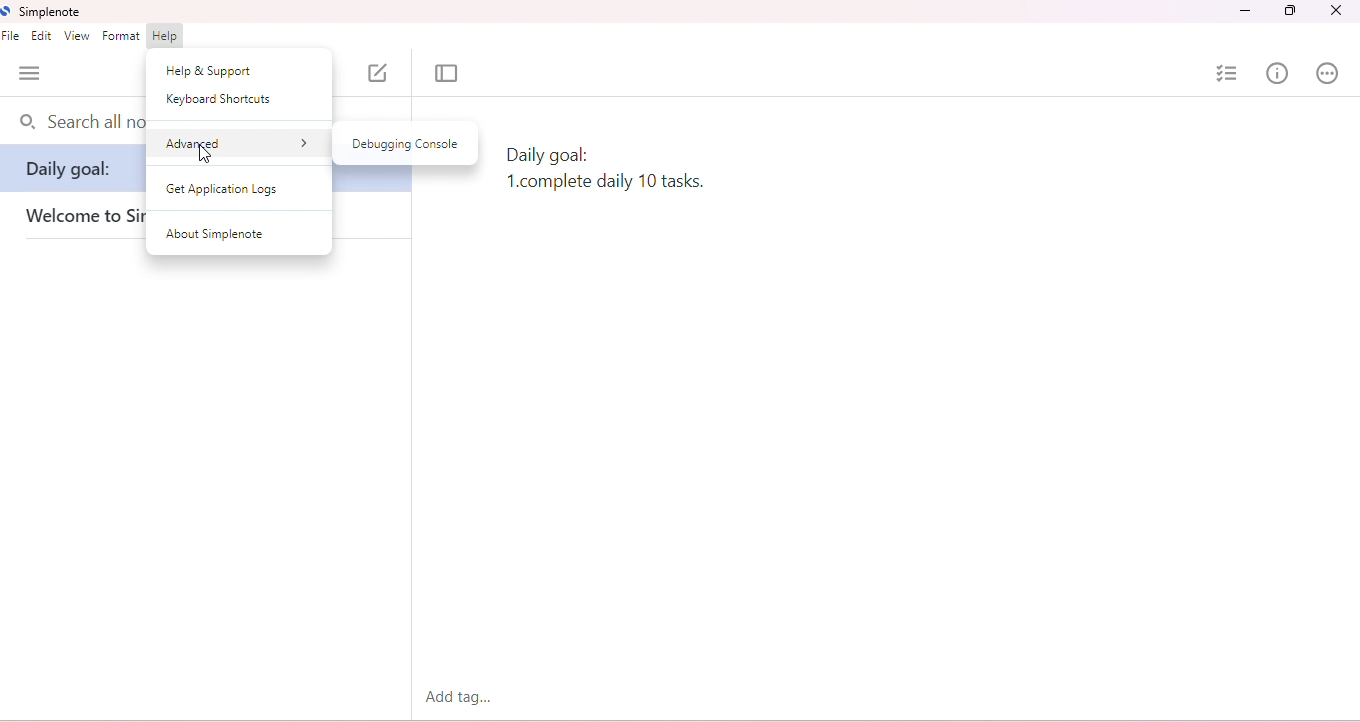 Image resolution: width=1360 pixels, height=722 pixels. Describe the element at coordinates (405, 144) in the screenshot. I see `debugging console` at that location.